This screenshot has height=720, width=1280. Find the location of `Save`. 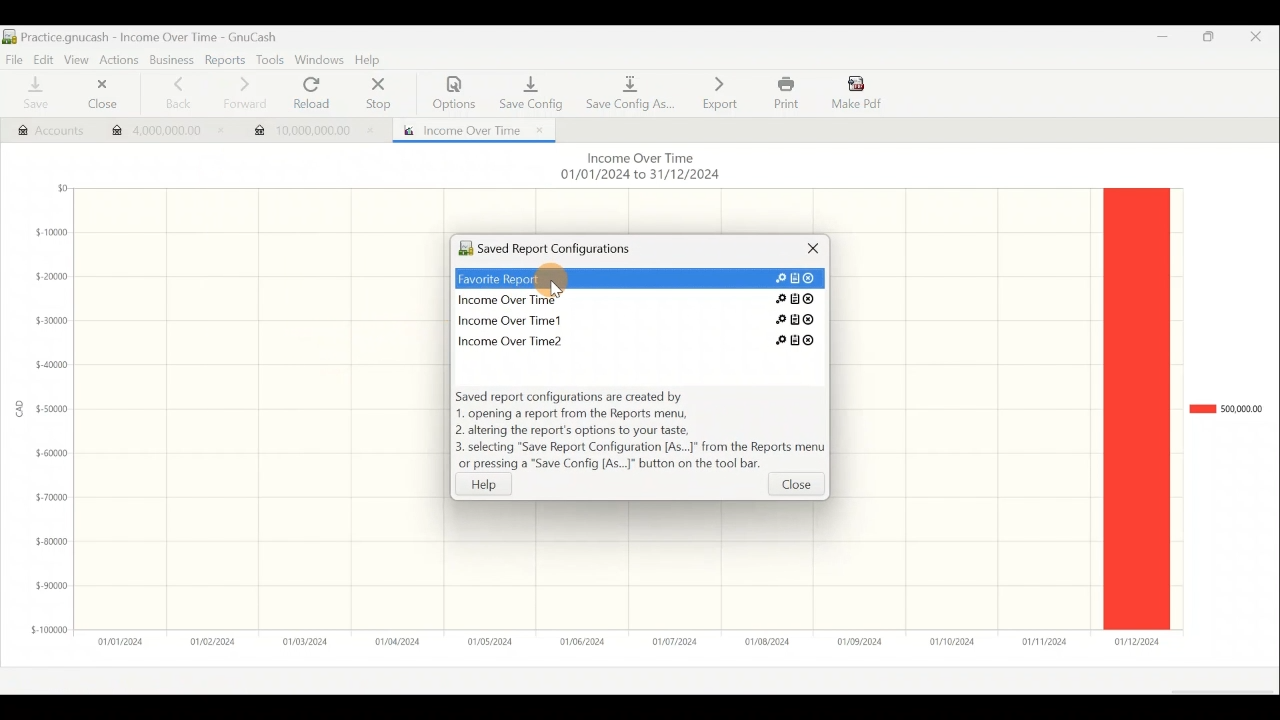

Save is located at coordinates (33, 94).